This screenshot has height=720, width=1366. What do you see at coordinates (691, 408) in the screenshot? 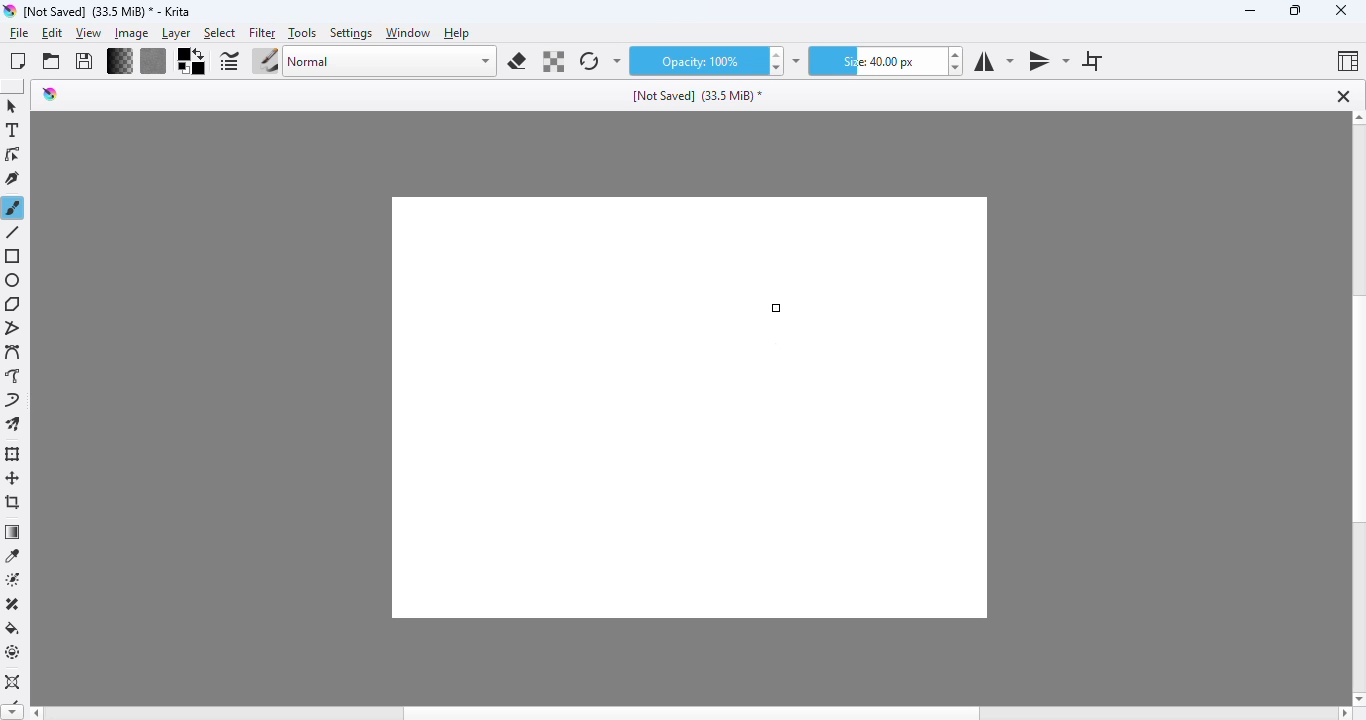
I see `canvas selected and key "5" pressed` at bounding box center [691, 408].